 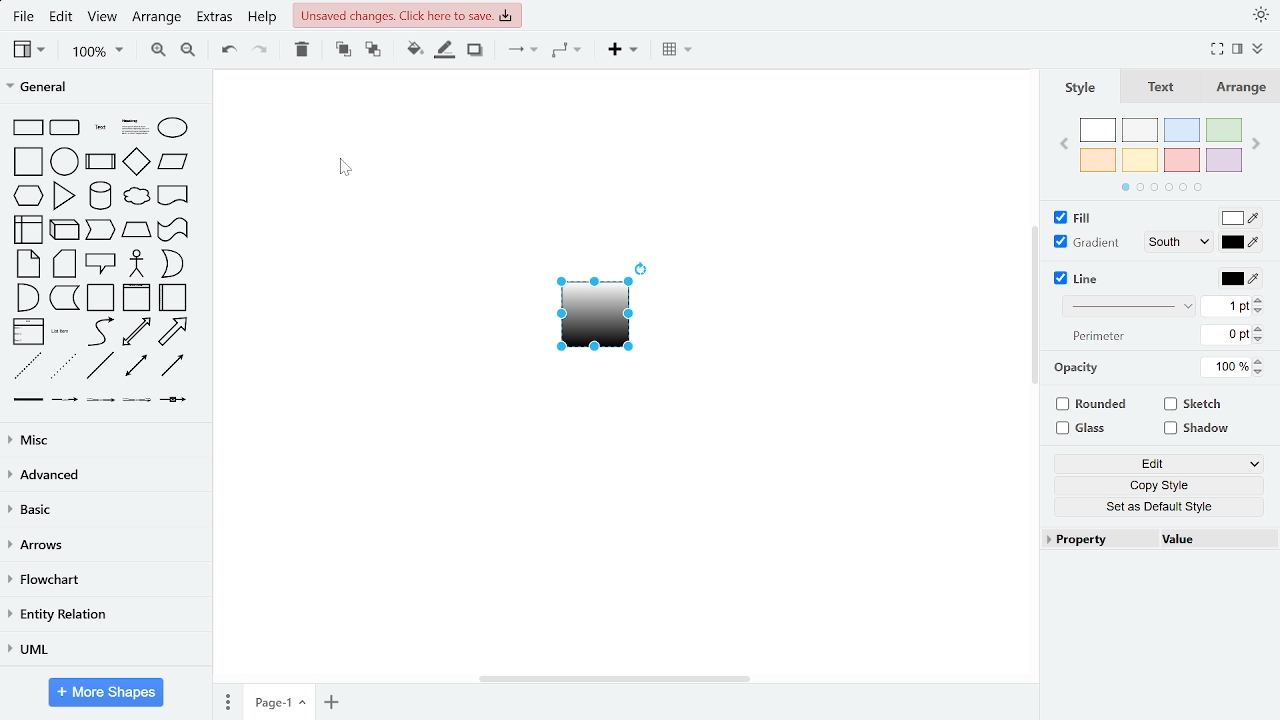 What do you see at coordinates (133, 230) in the screenshot?
I see `general shapes` at bounding box center [133, 230].